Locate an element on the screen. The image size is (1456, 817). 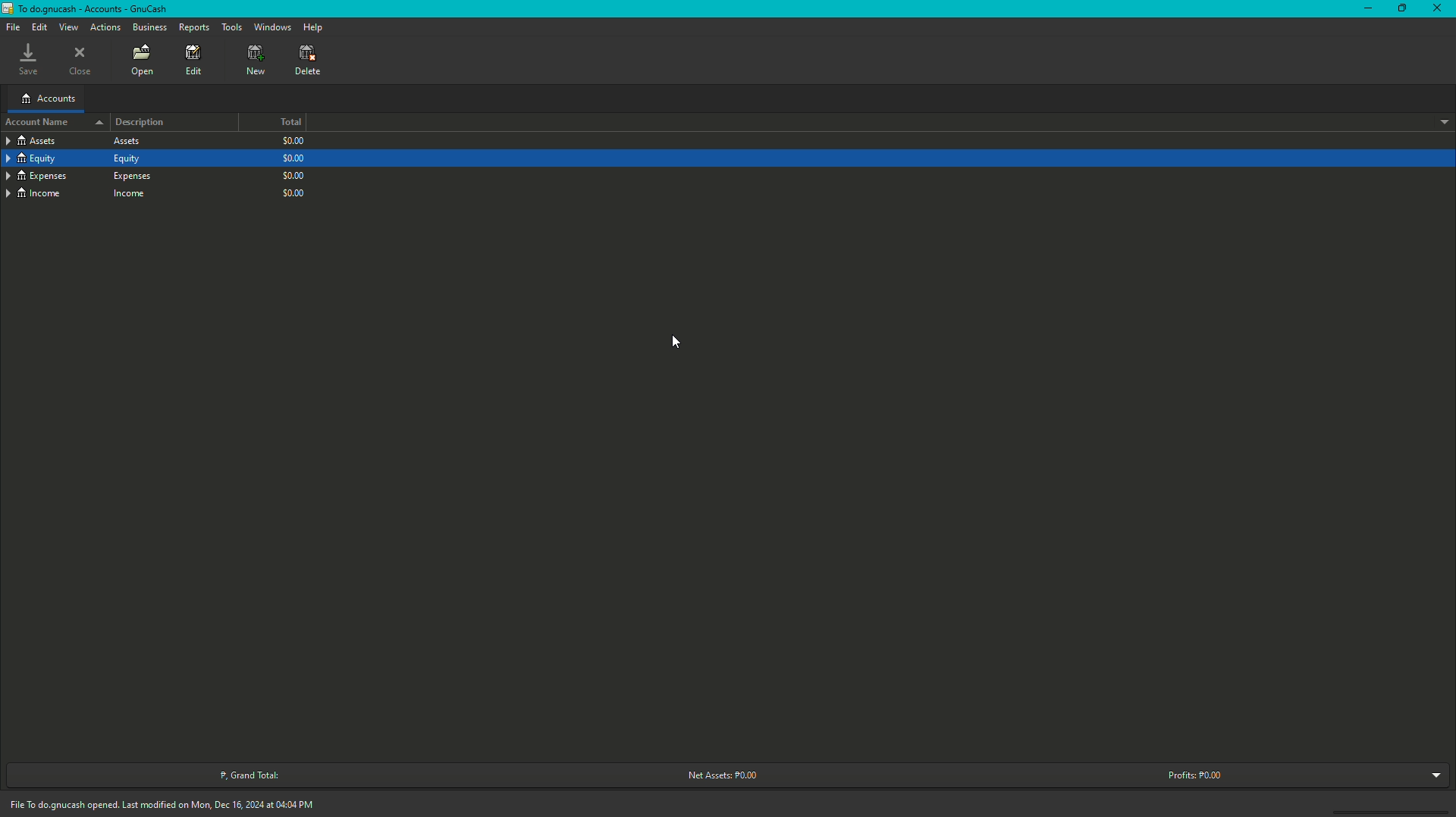
Total is located at coordinates (291, 122).